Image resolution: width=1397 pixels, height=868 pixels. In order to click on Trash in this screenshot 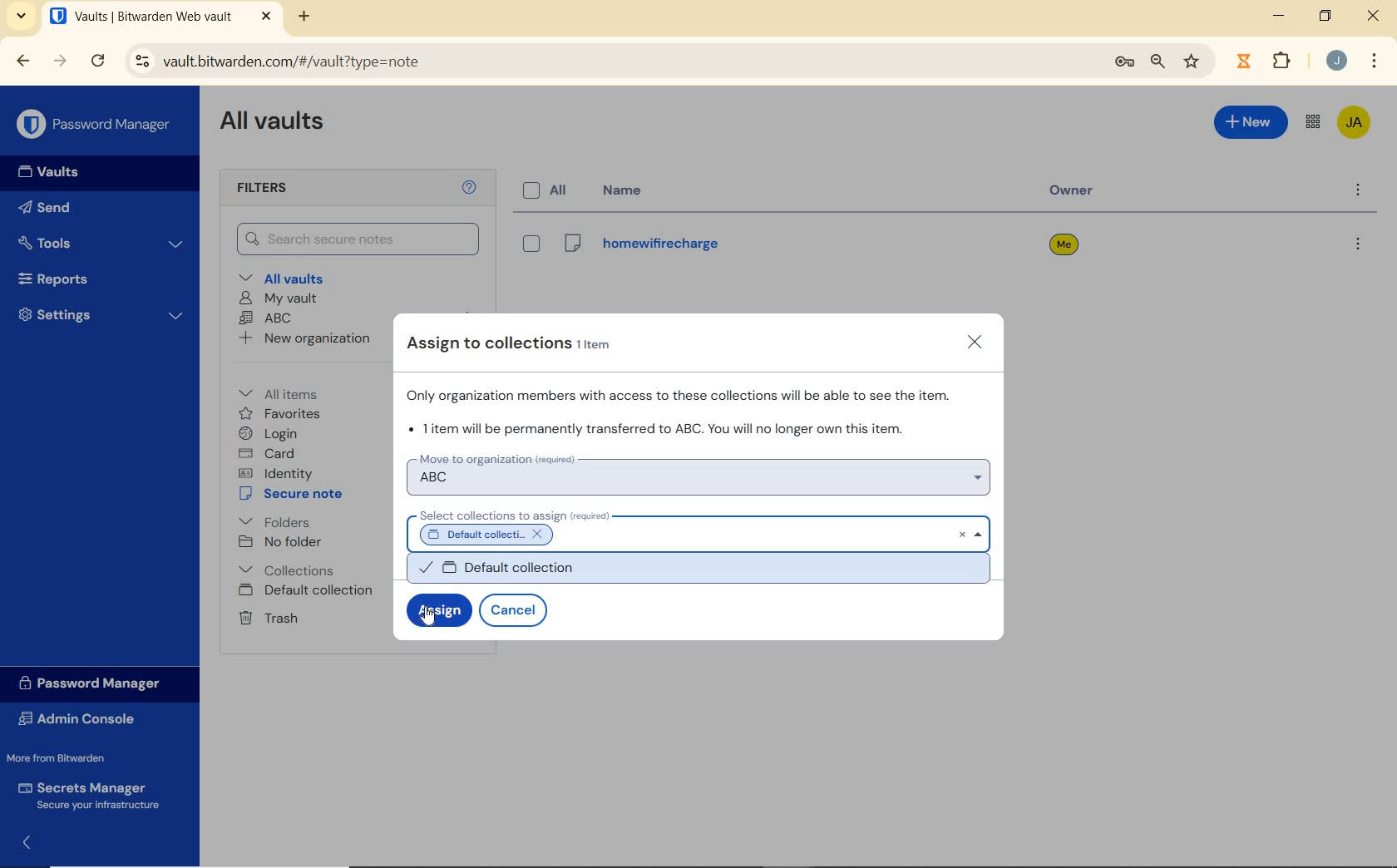, I will do `click(268, 618)`.